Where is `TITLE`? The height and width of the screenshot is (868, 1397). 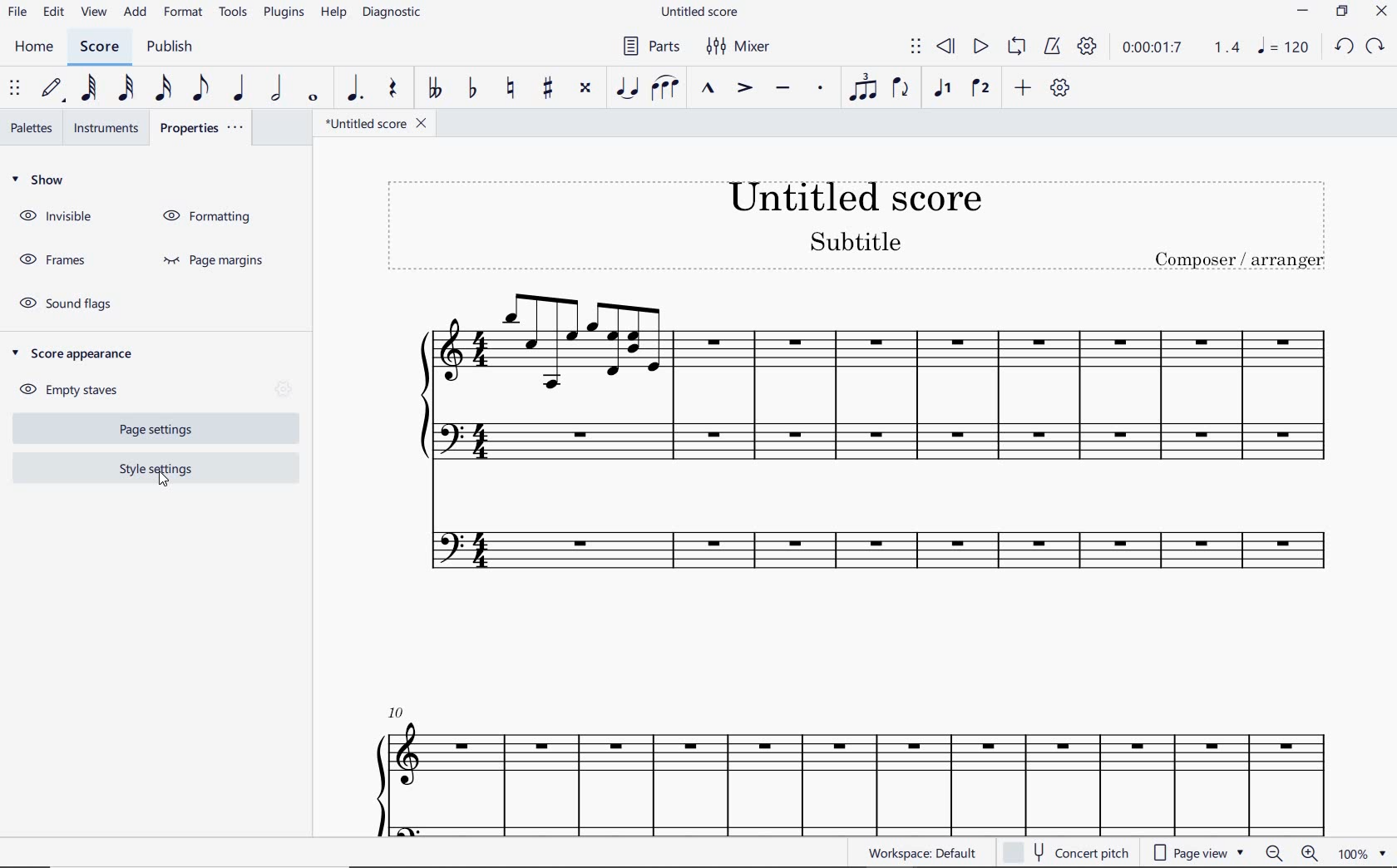 TITLE is located at coordinates (864, 223).